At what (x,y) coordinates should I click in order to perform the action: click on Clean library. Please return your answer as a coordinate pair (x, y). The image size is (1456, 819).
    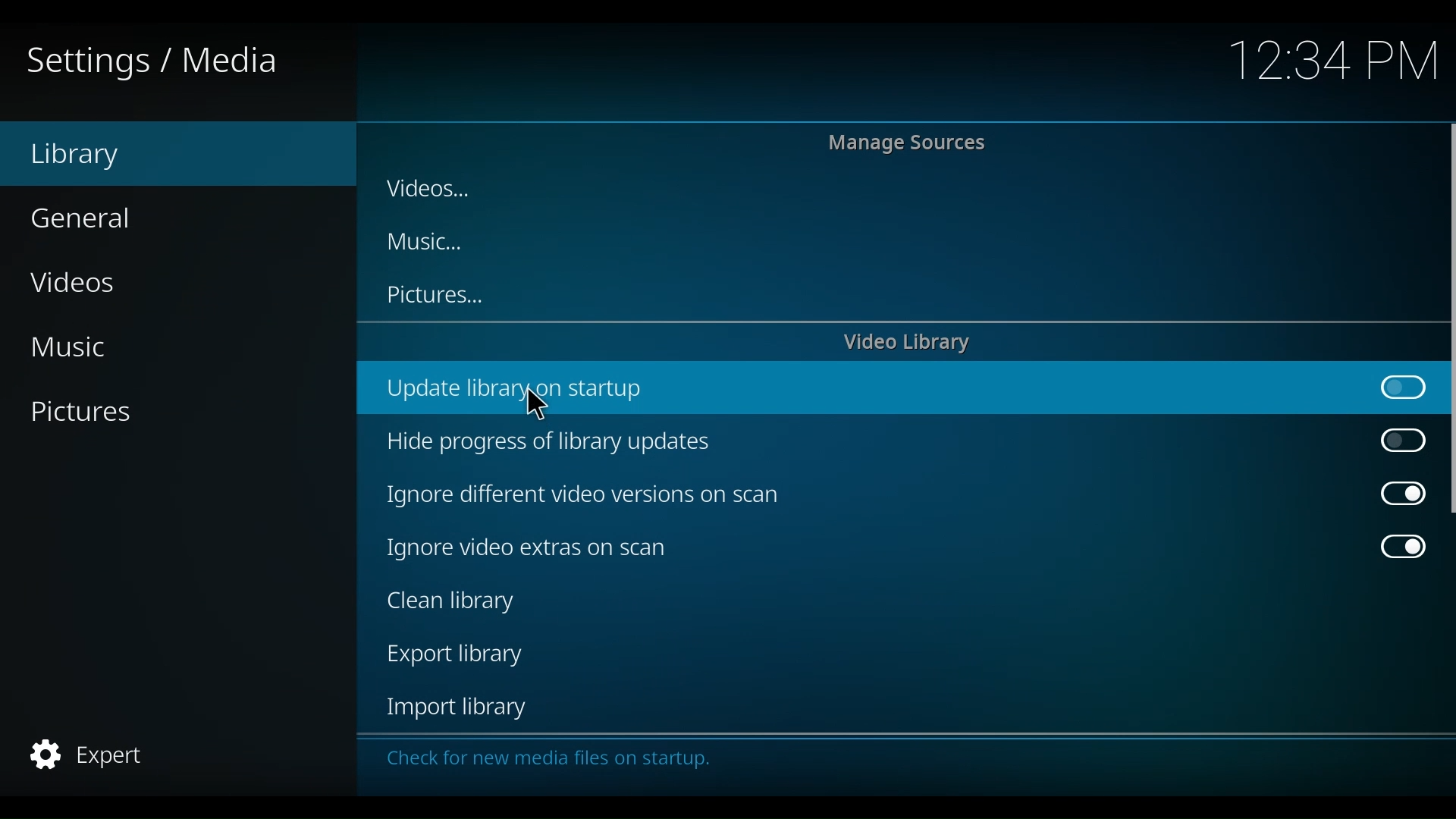
    Looking at the image, I should click on (460, 604).